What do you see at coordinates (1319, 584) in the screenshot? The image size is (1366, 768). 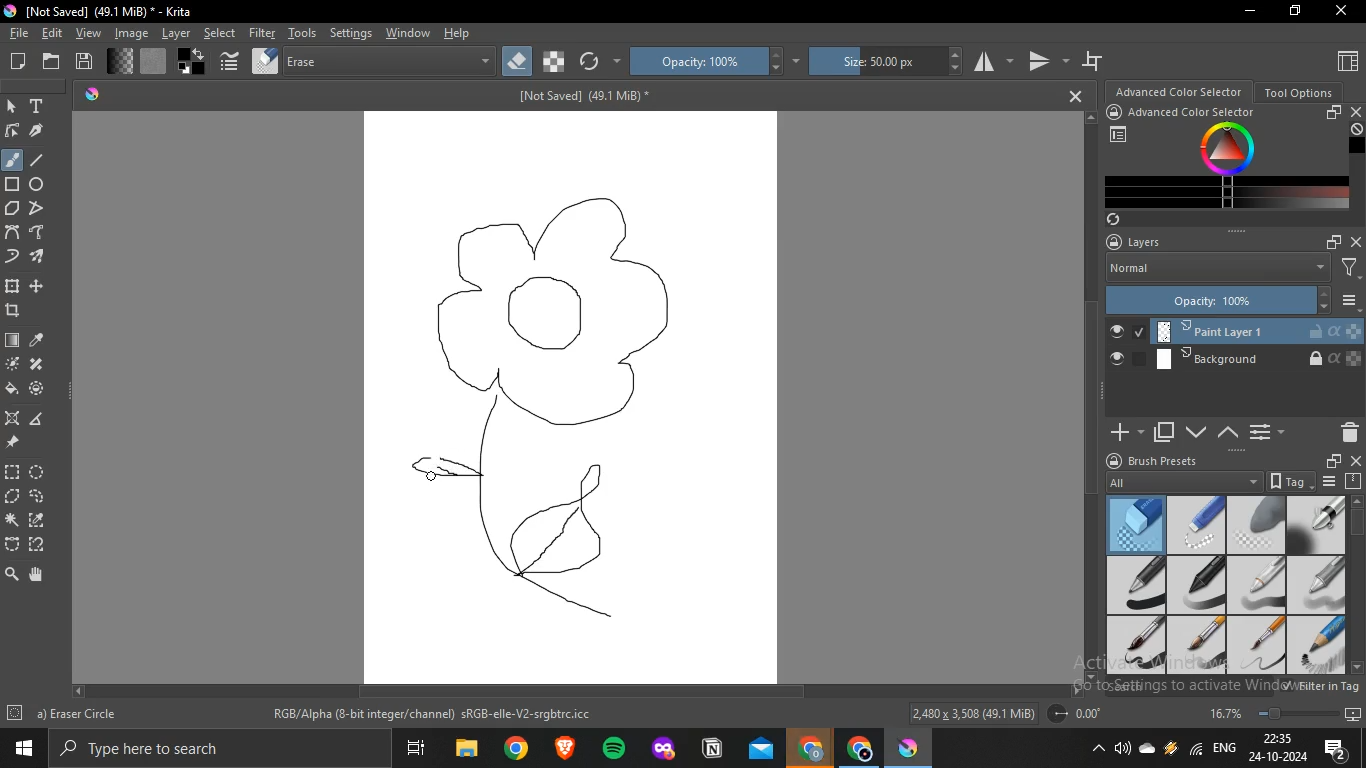 I see `basic 4 opacity` at bounding box center [1319, 584].